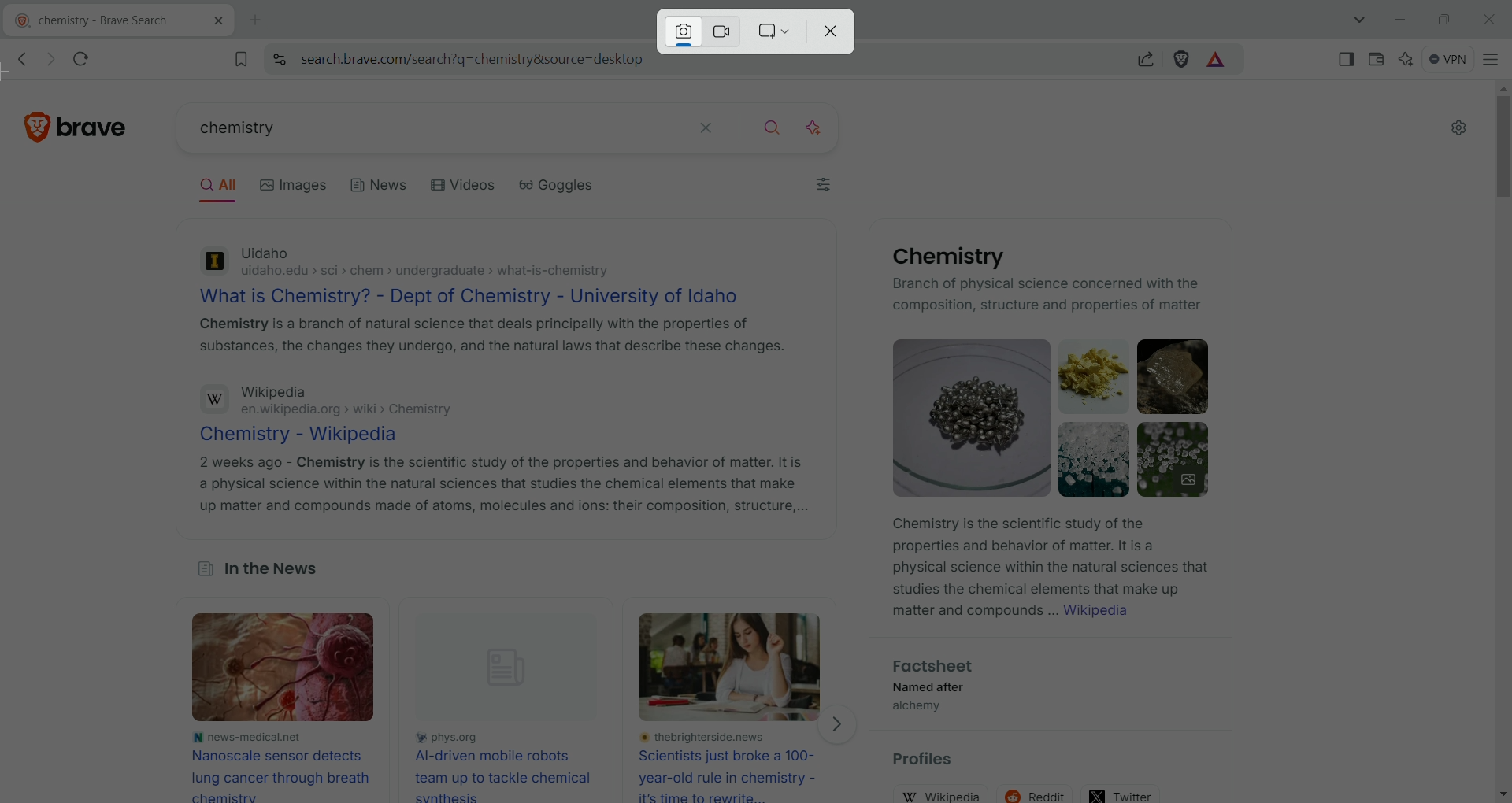 This screenshot has width=1512, height=803. I want to click on image, so click(295, 669).